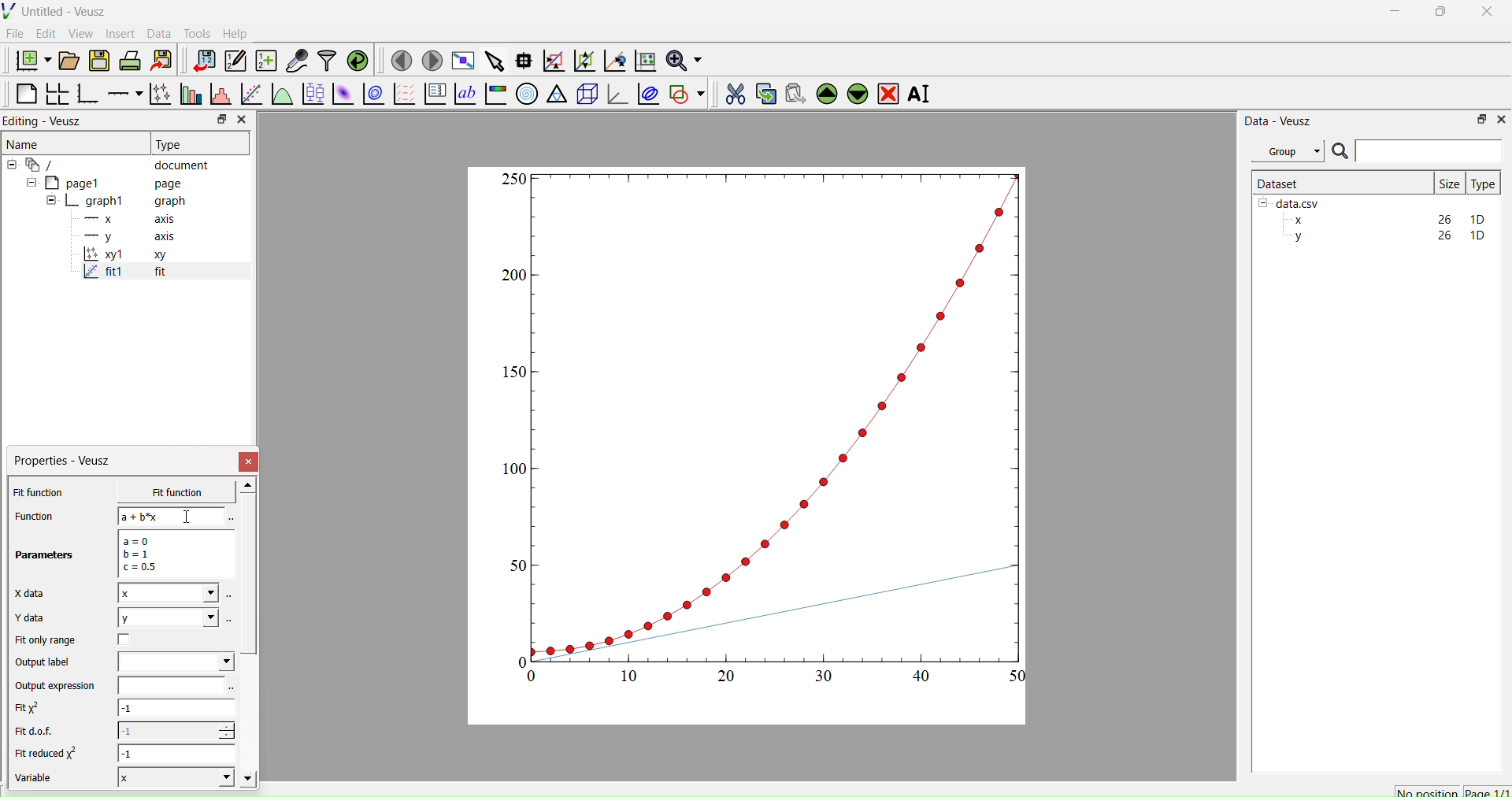  Describe the element at coordinates (169, 685) in the screenshot. I see `input ` at that location.